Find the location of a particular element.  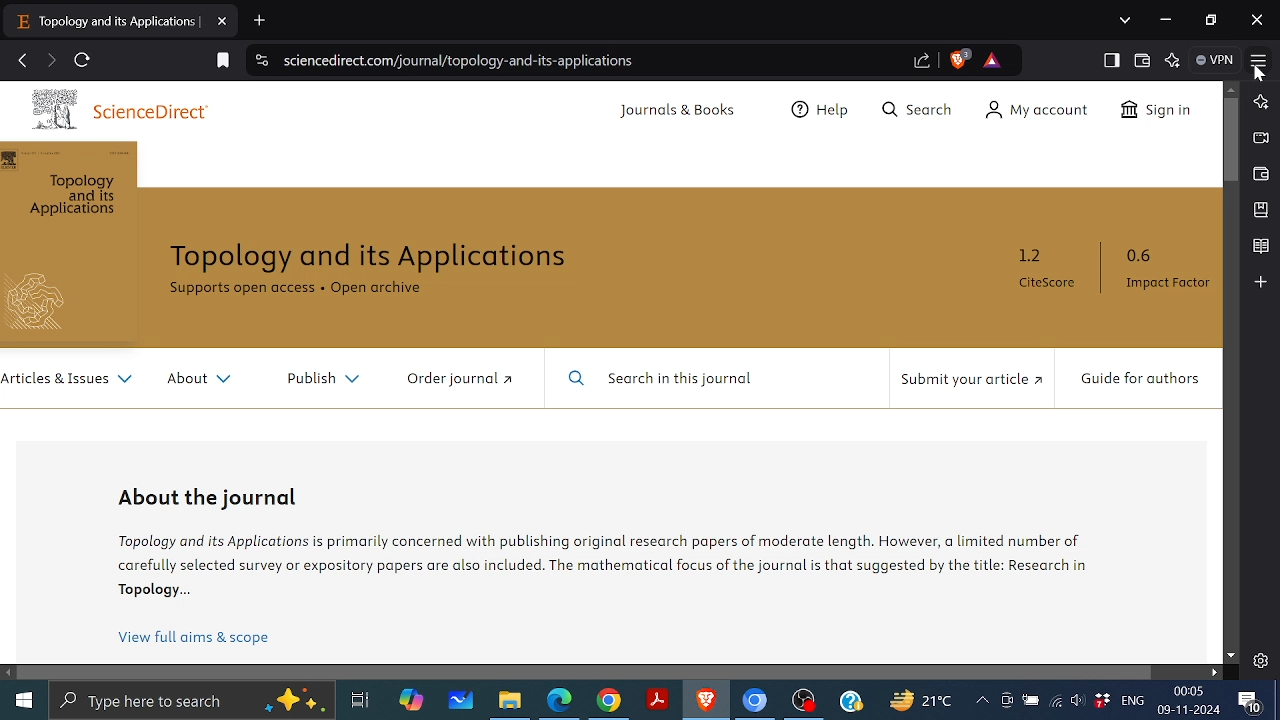

Wallet is located at coordinates (1260, 174).